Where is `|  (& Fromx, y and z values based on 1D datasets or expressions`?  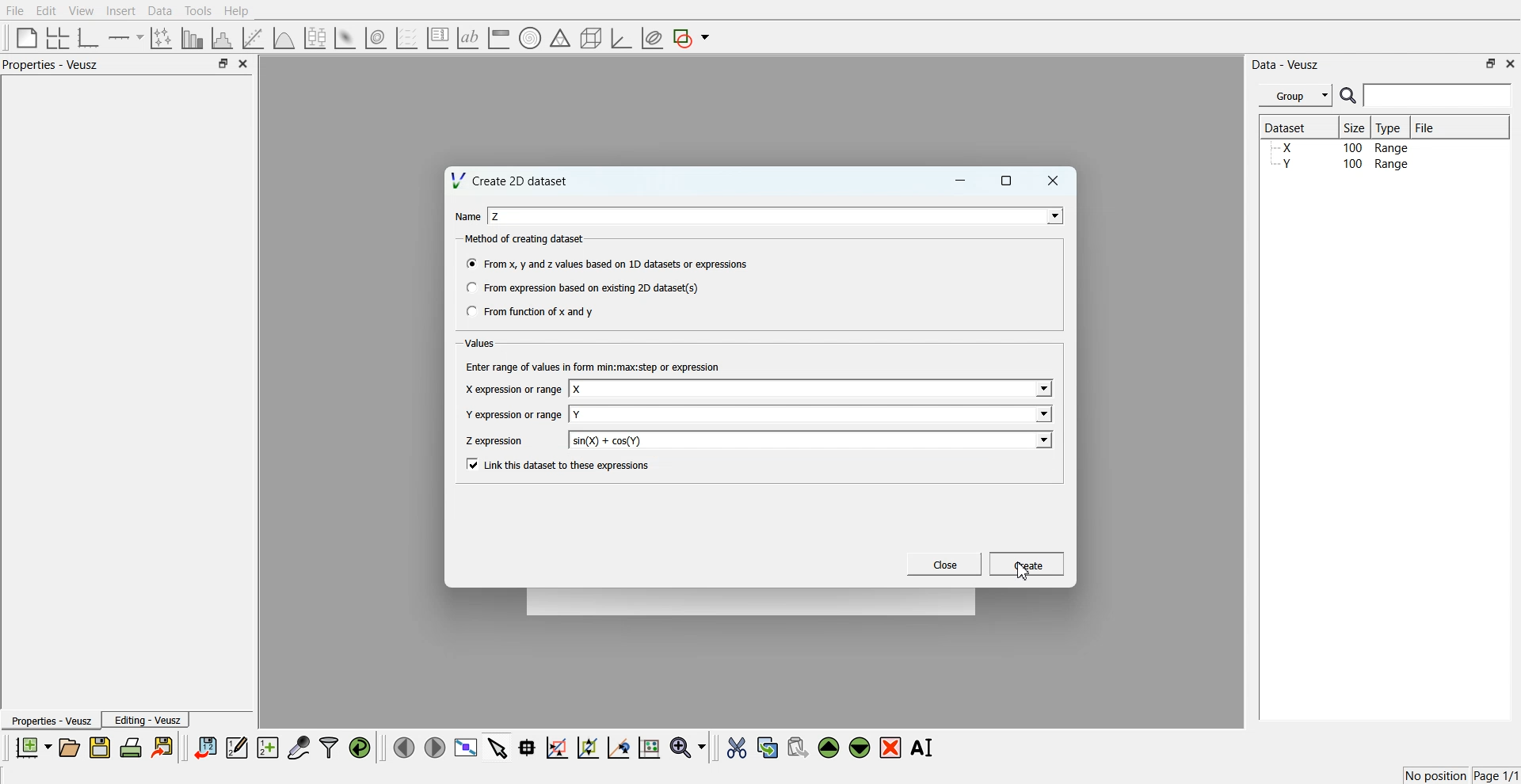
|  (& Fromx, y and z values based on 1D datasets or expressions is located at coordinates (608, 262).